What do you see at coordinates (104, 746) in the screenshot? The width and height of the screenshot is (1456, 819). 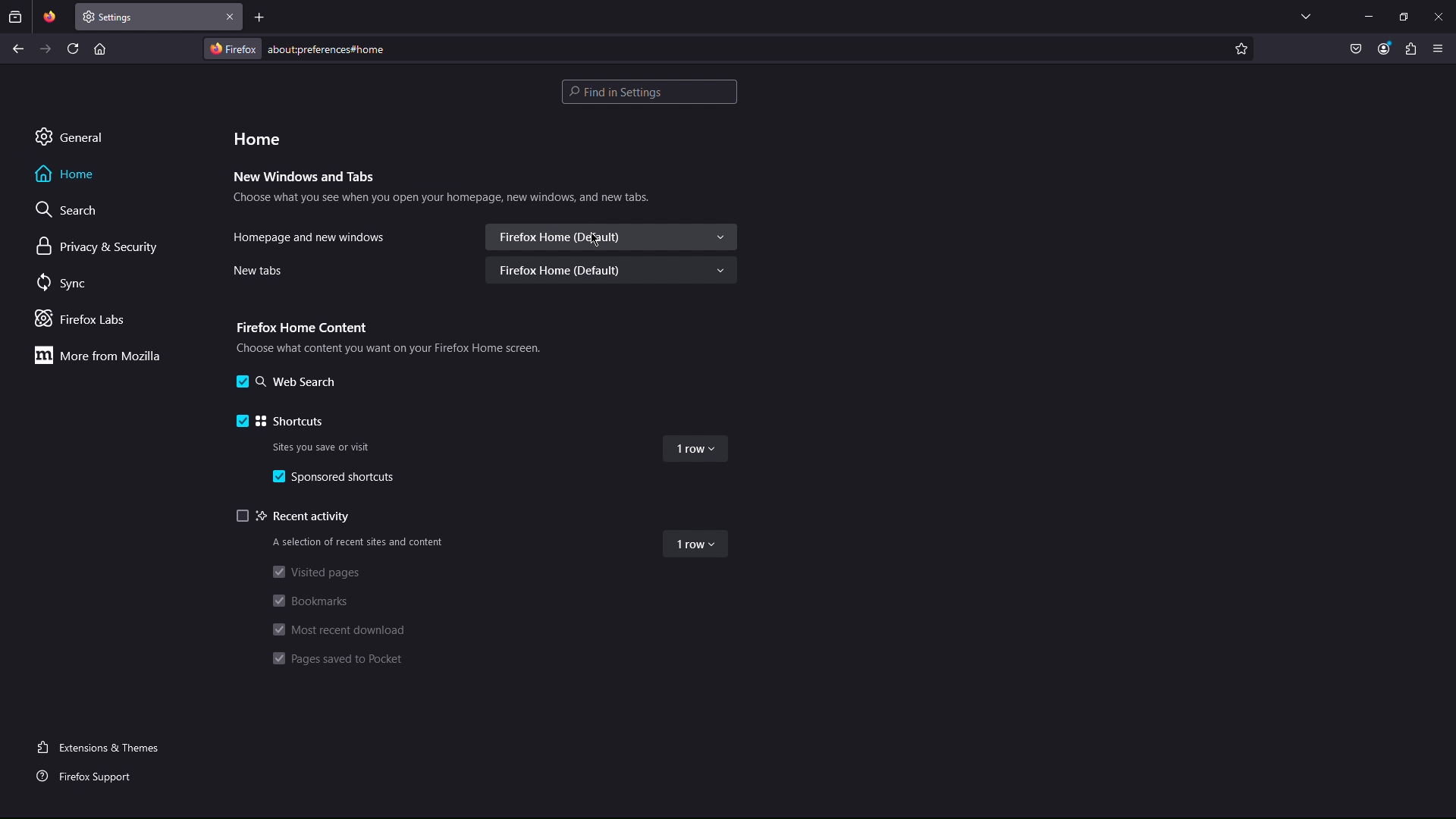 I see `Extensions and Themes` at bounding box center [104, 746].